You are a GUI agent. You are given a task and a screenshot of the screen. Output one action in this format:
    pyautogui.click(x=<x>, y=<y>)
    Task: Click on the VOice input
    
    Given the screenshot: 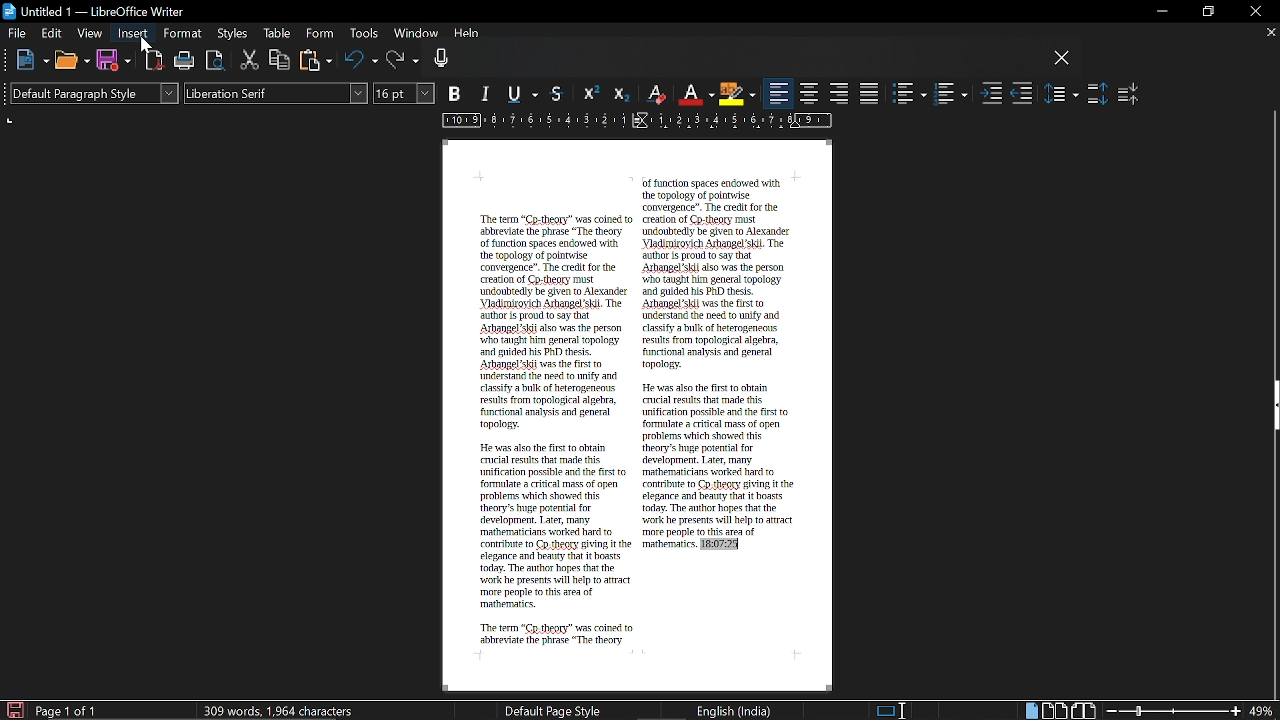 What is the action you would take?
    pyautogui.click(x=739, y=61)
    